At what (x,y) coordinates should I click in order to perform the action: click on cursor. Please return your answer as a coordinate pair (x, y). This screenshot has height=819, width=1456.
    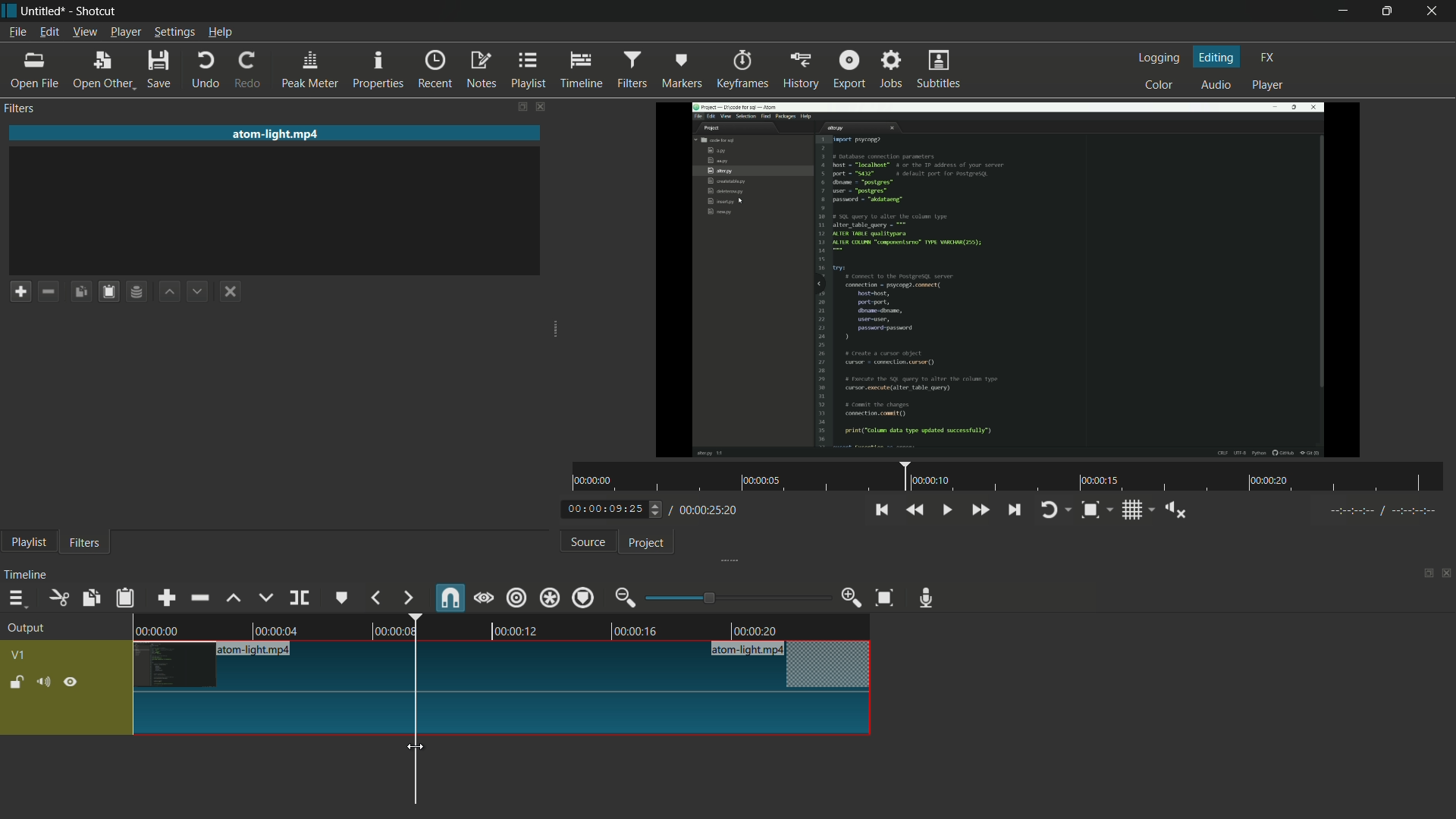
    Looking at the image, I should click on (416, 749).